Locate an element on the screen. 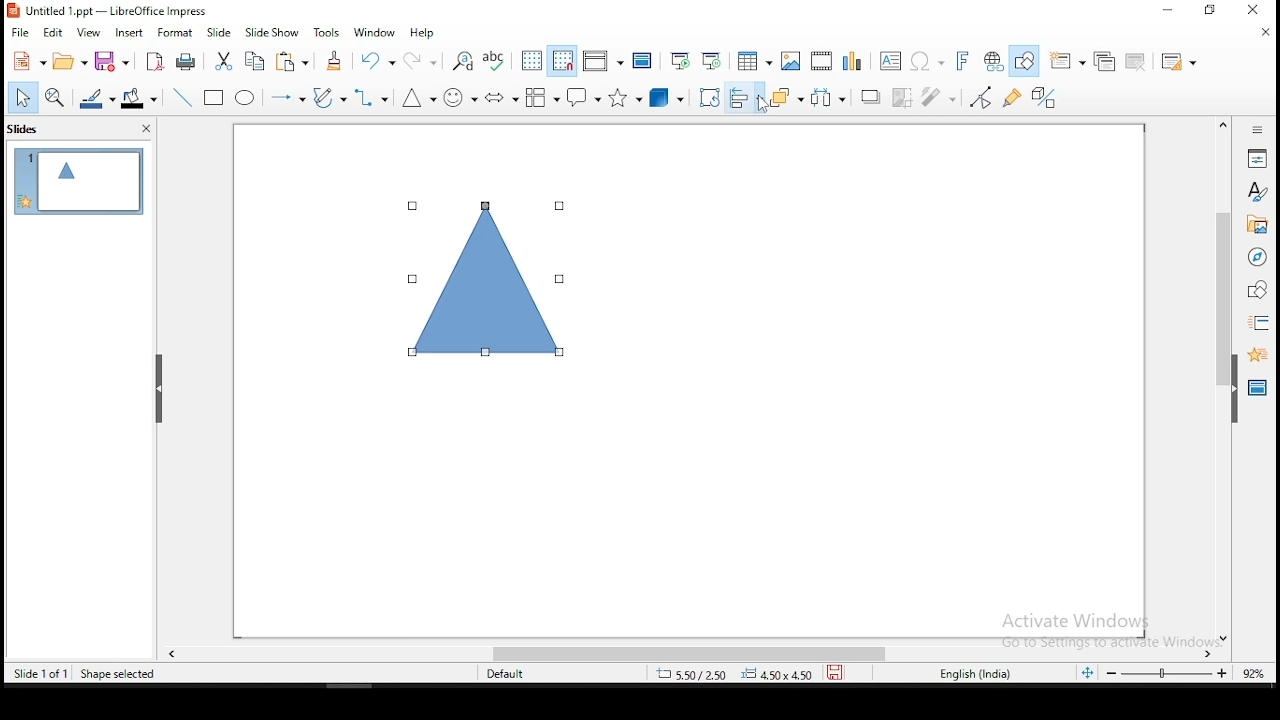  redo is located at coordinates (420, 60).